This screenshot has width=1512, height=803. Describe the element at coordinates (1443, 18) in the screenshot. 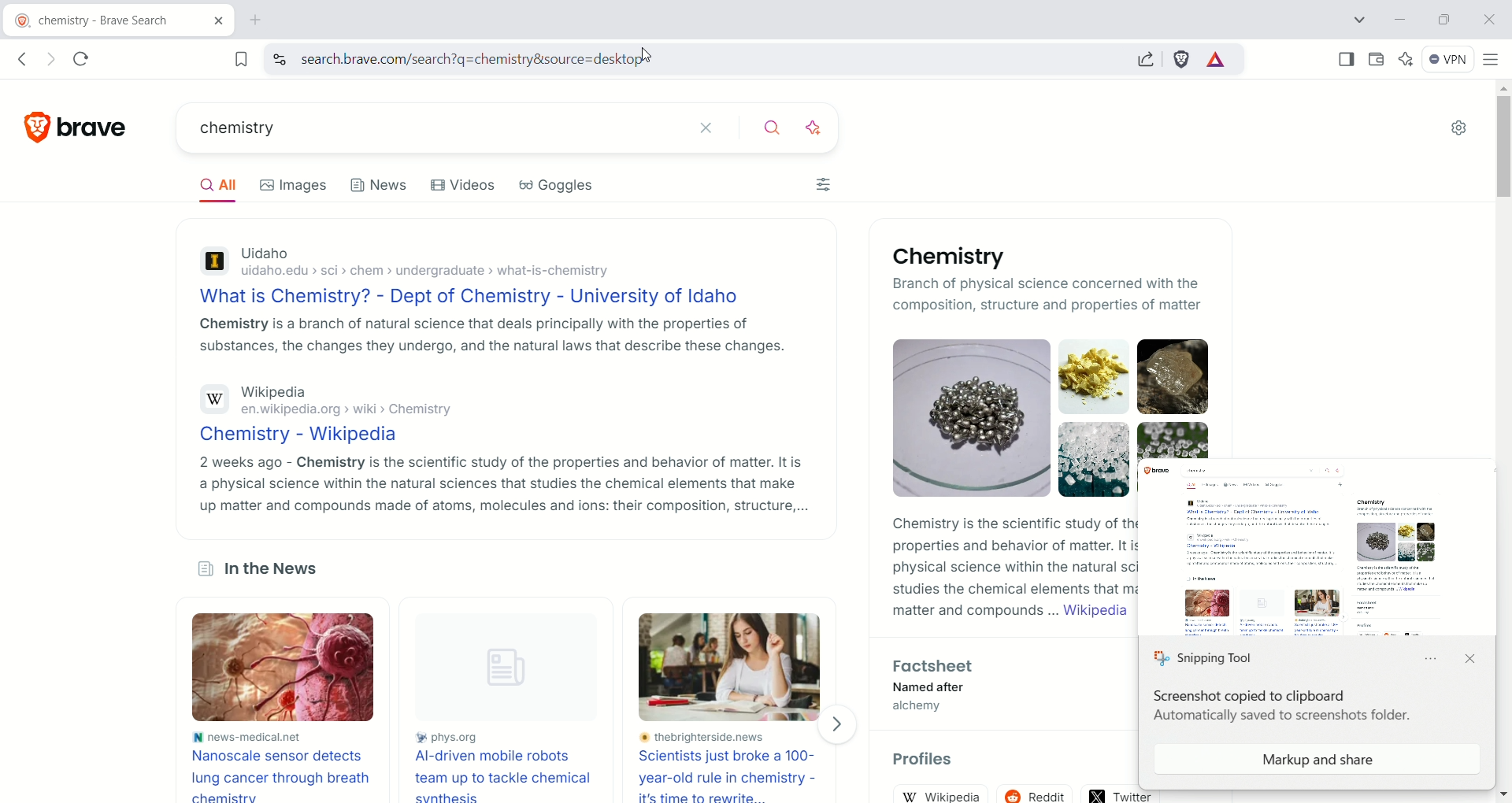

I see `maximize` at that location.